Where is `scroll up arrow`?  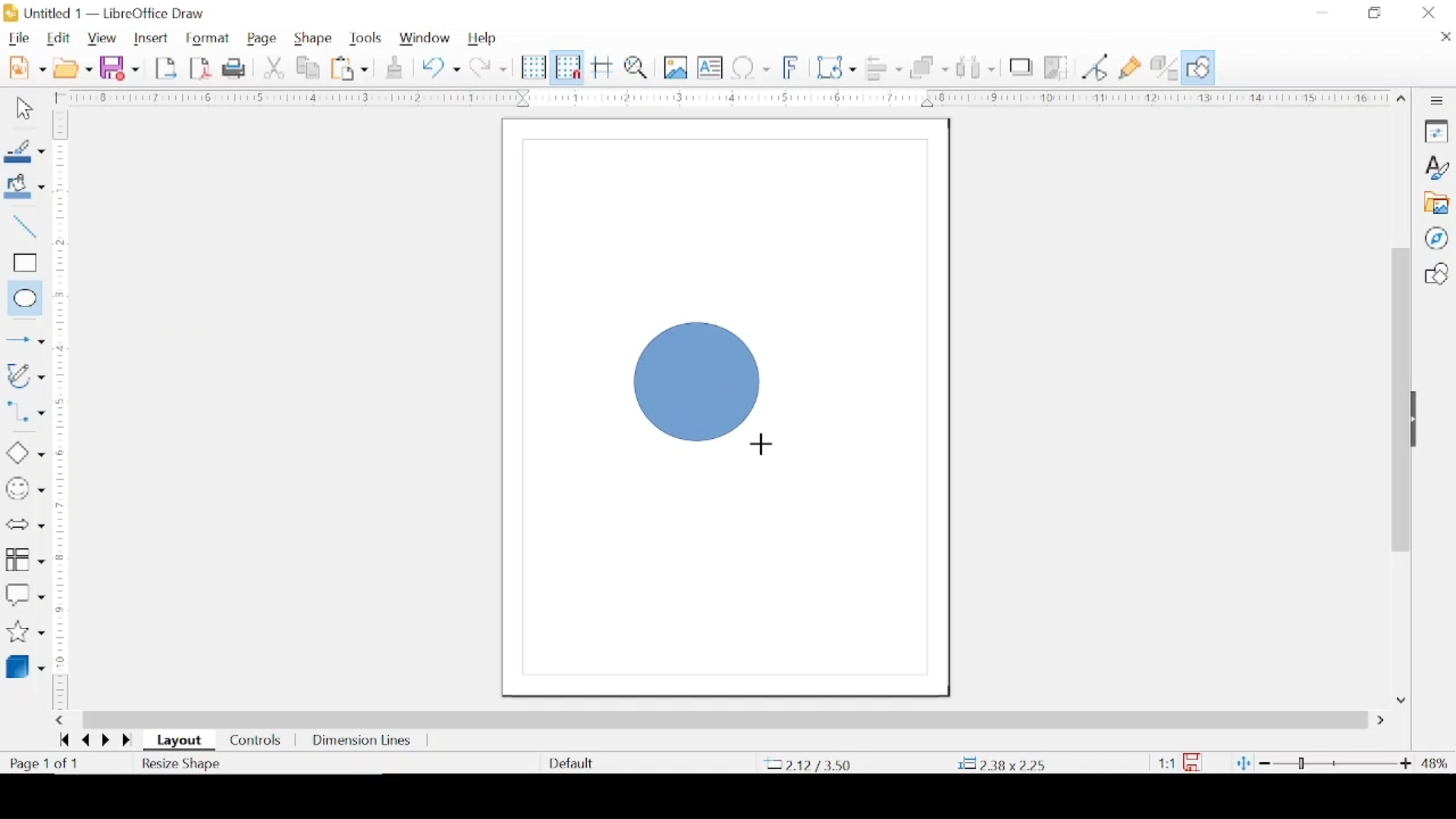
scroll up arrow is located at coordinates (1402, 96).